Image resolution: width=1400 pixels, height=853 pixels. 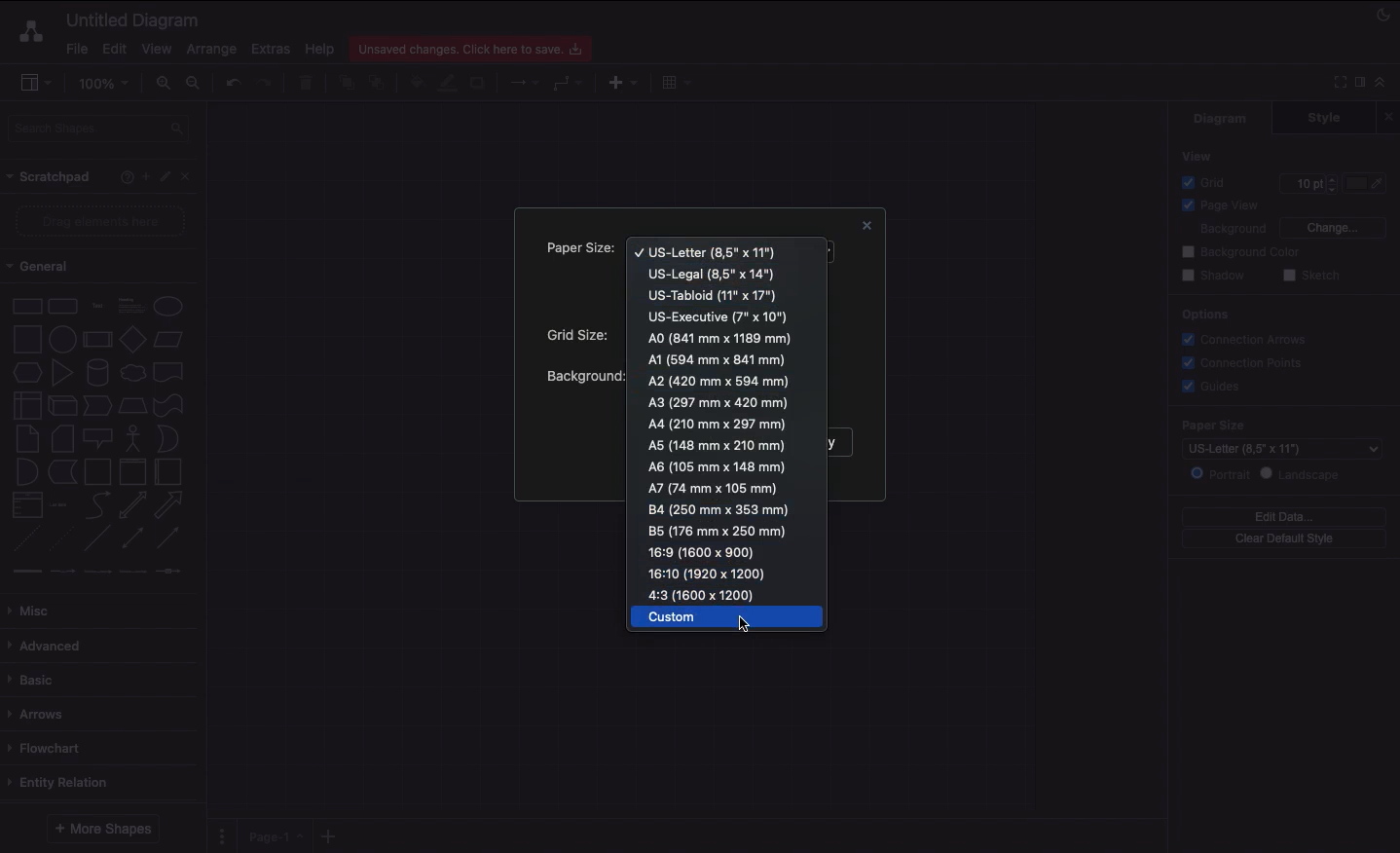 What do you see at coordinates (730, 617) in the screenshot?
I see `Custom` at bounding box center [730, 617].